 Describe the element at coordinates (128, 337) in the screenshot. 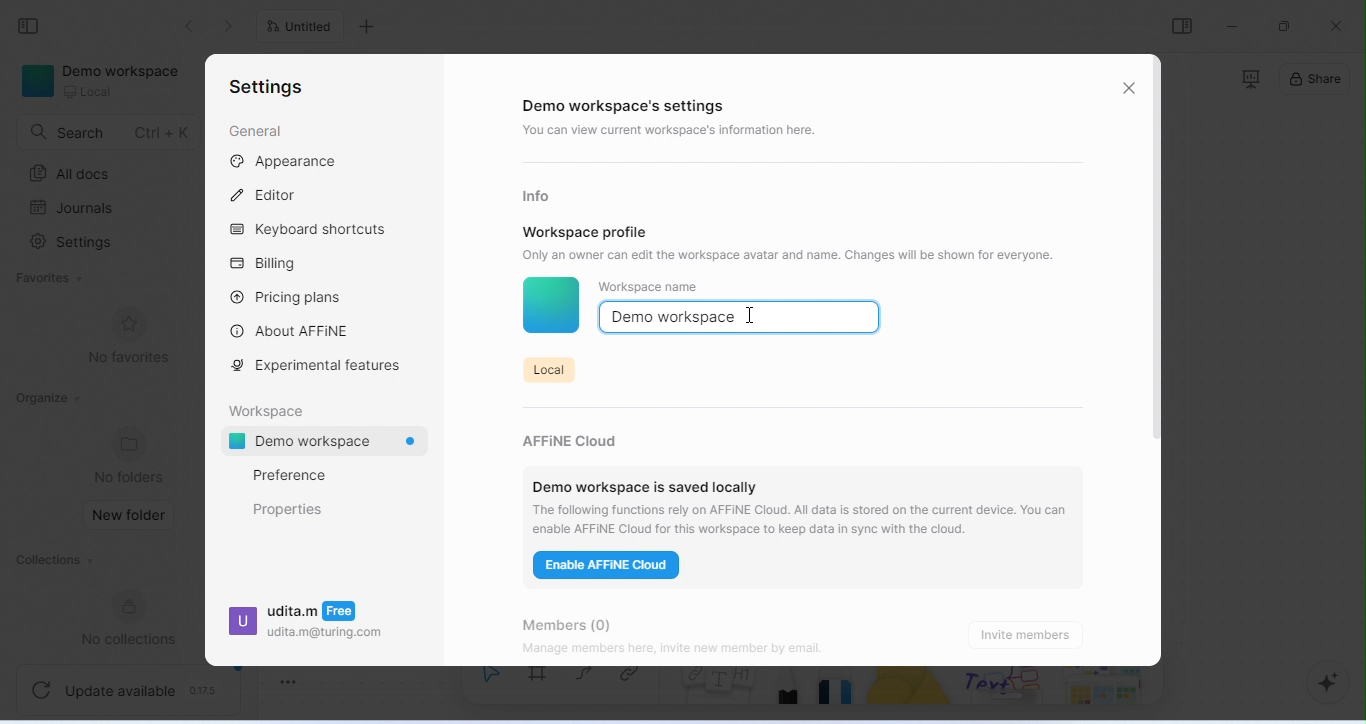

I see `no favorites` at that location.